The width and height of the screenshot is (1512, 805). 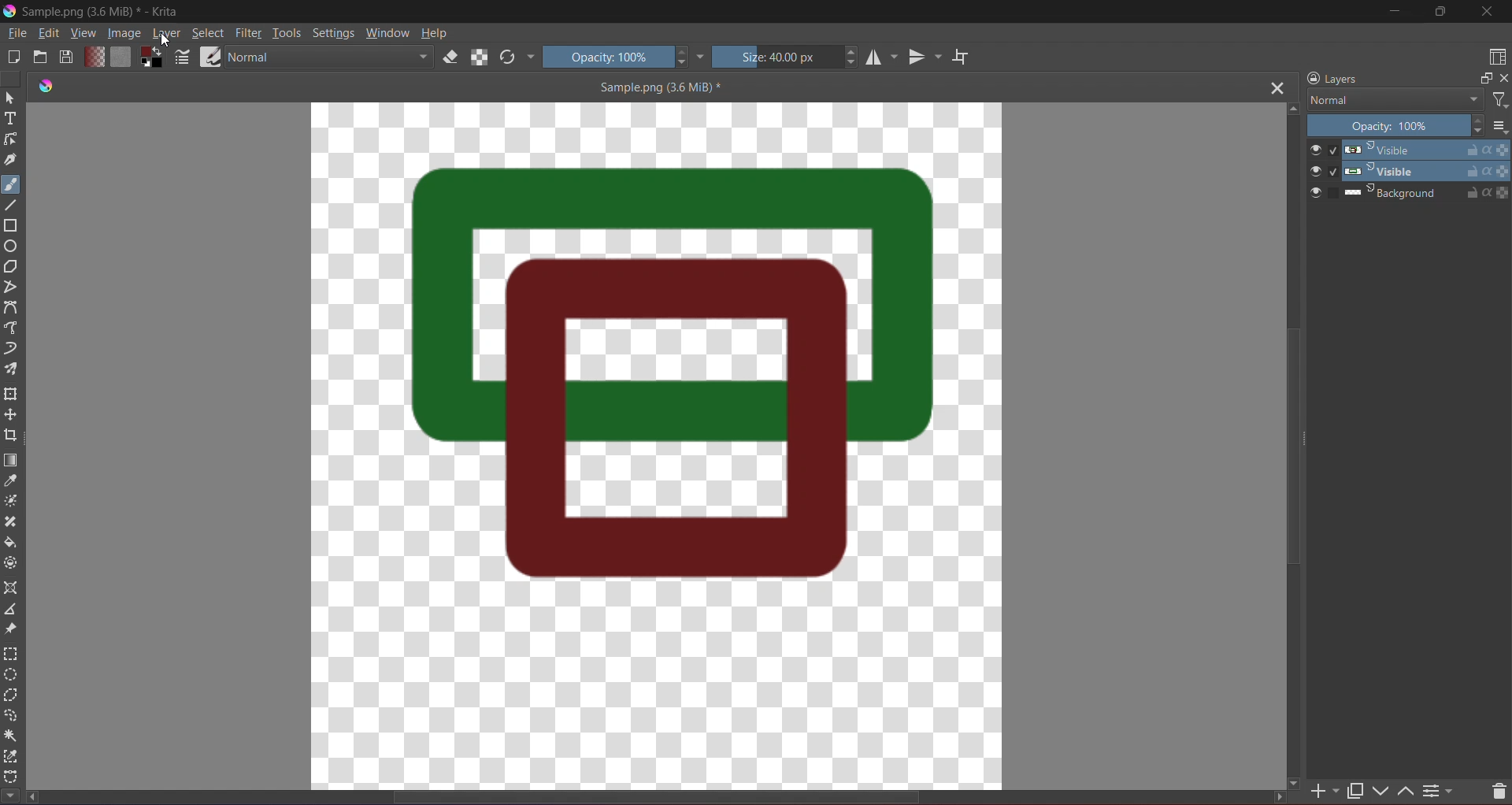 I want to click on Size options, so click(x=1499, y=127).